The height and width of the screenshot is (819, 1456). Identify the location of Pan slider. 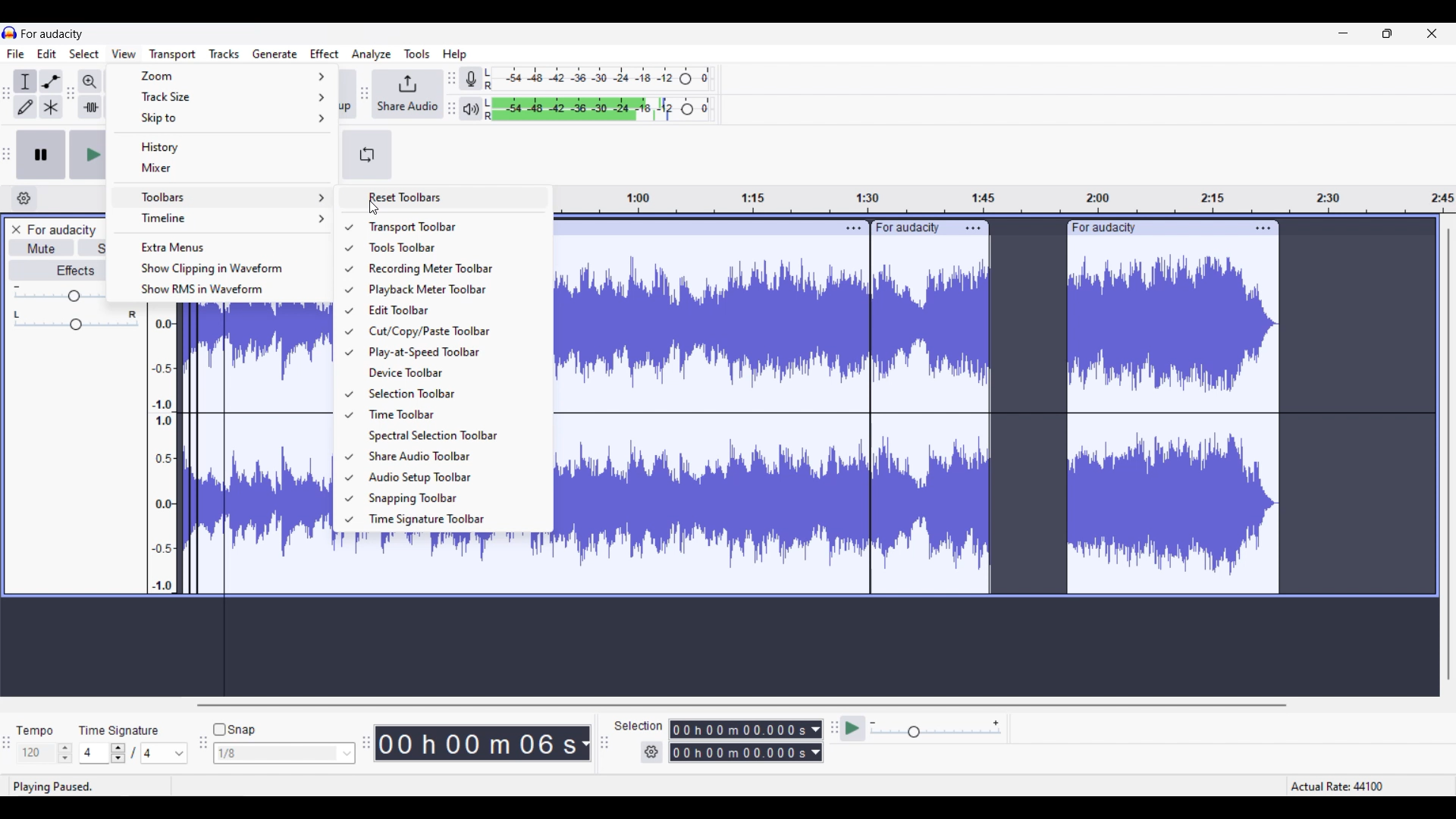
(76, 320).